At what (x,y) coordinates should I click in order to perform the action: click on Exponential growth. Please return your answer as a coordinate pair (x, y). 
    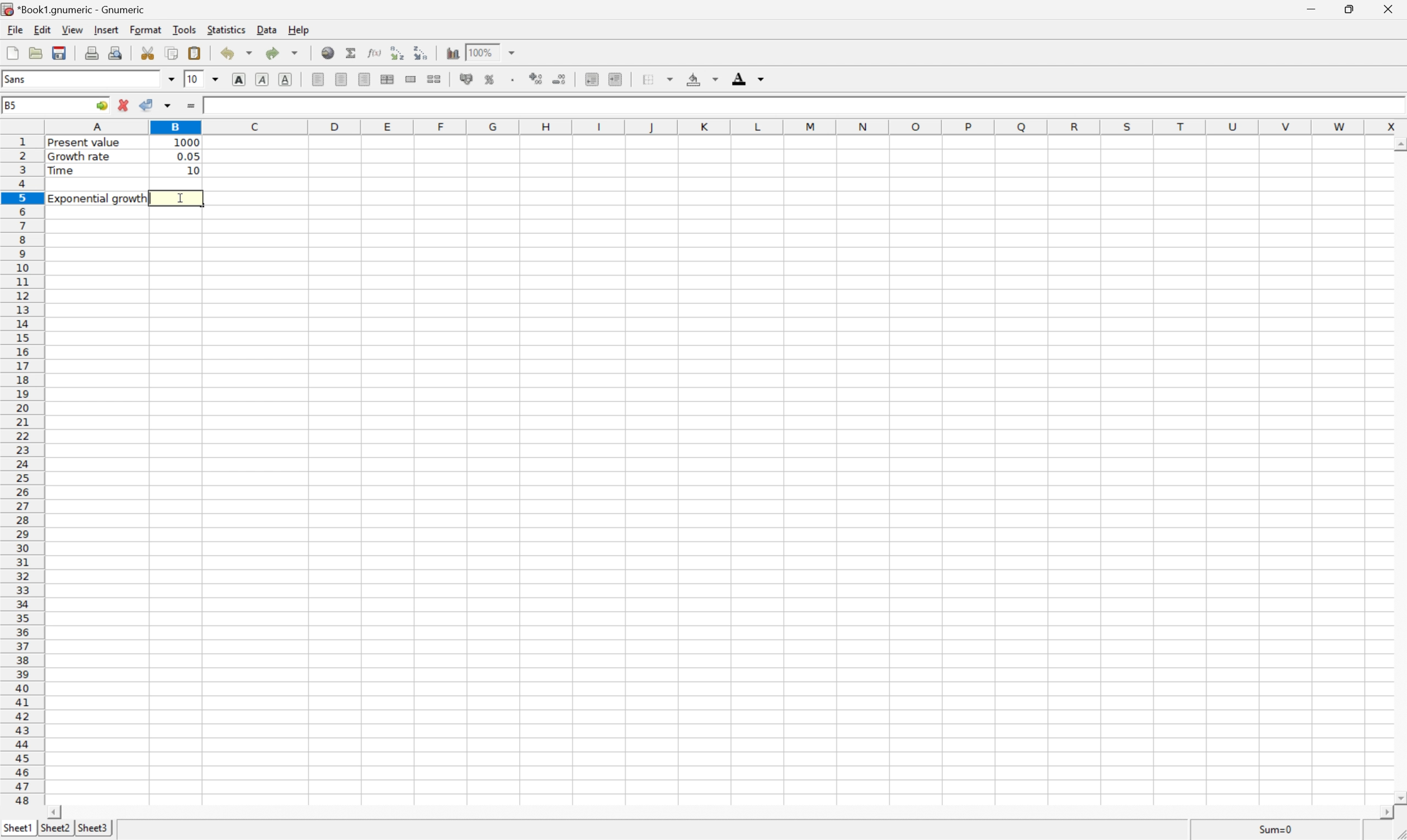
    Looking at the image, I should click on (100, 198).